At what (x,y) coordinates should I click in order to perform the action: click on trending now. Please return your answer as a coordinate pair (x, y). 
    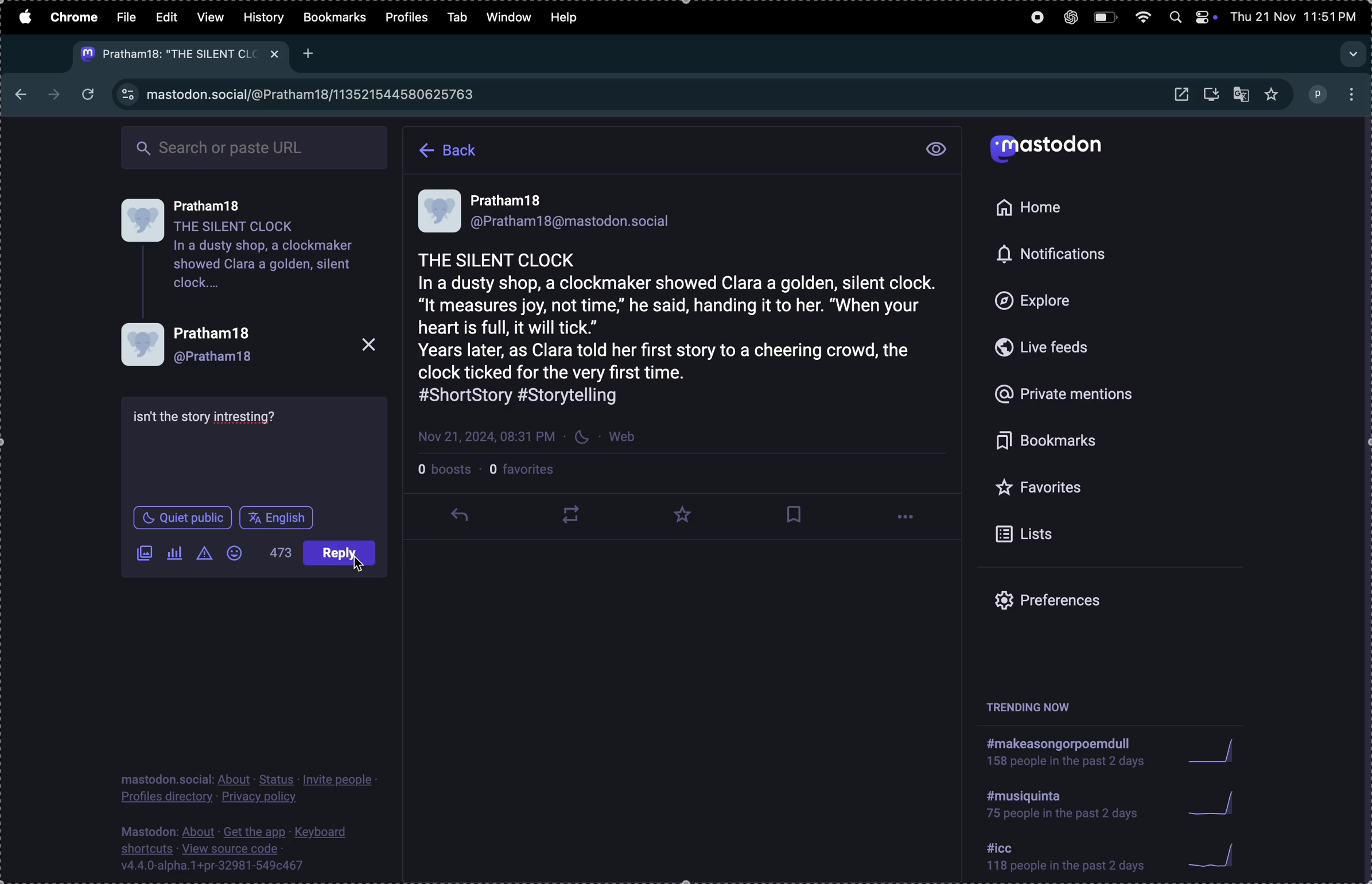
    Looking at the image, I should click on (1035, 707).